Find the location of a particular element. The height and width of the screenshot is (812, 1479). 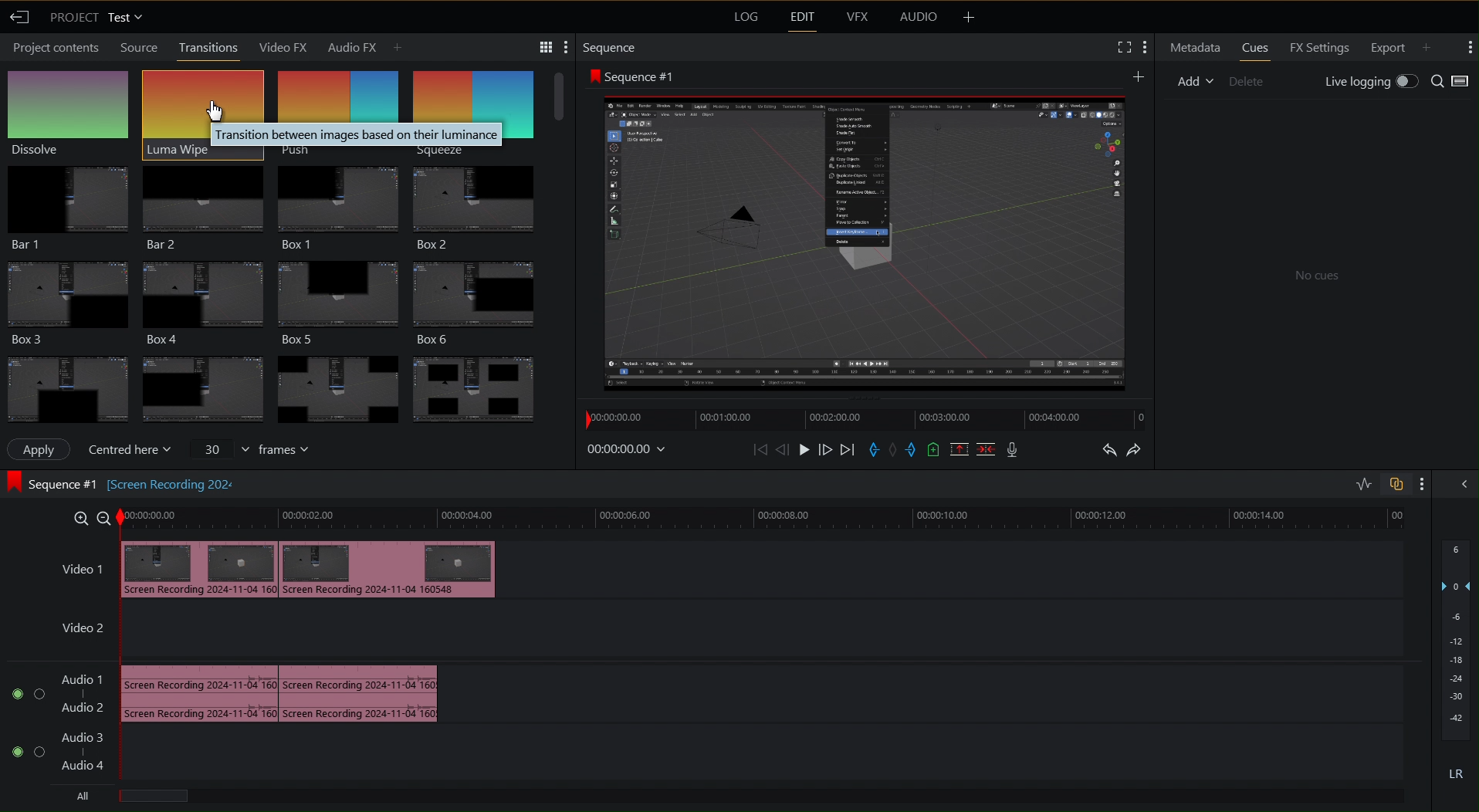

Edit is located at coordinates (800, 19).